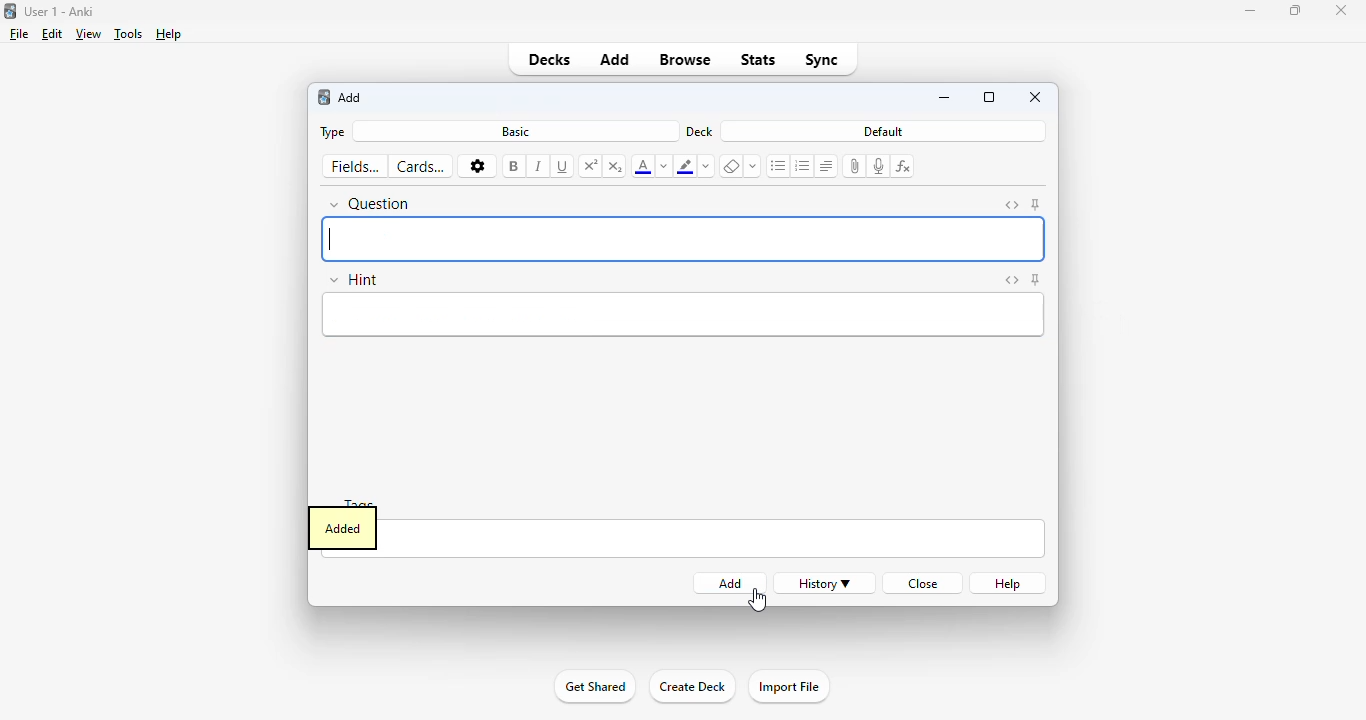 This screenshot has width=1366, height=720. What do you see at coordinates (686, 167) in the screenshot?
I see `text highlighting color` at bounding box center [686, 167].